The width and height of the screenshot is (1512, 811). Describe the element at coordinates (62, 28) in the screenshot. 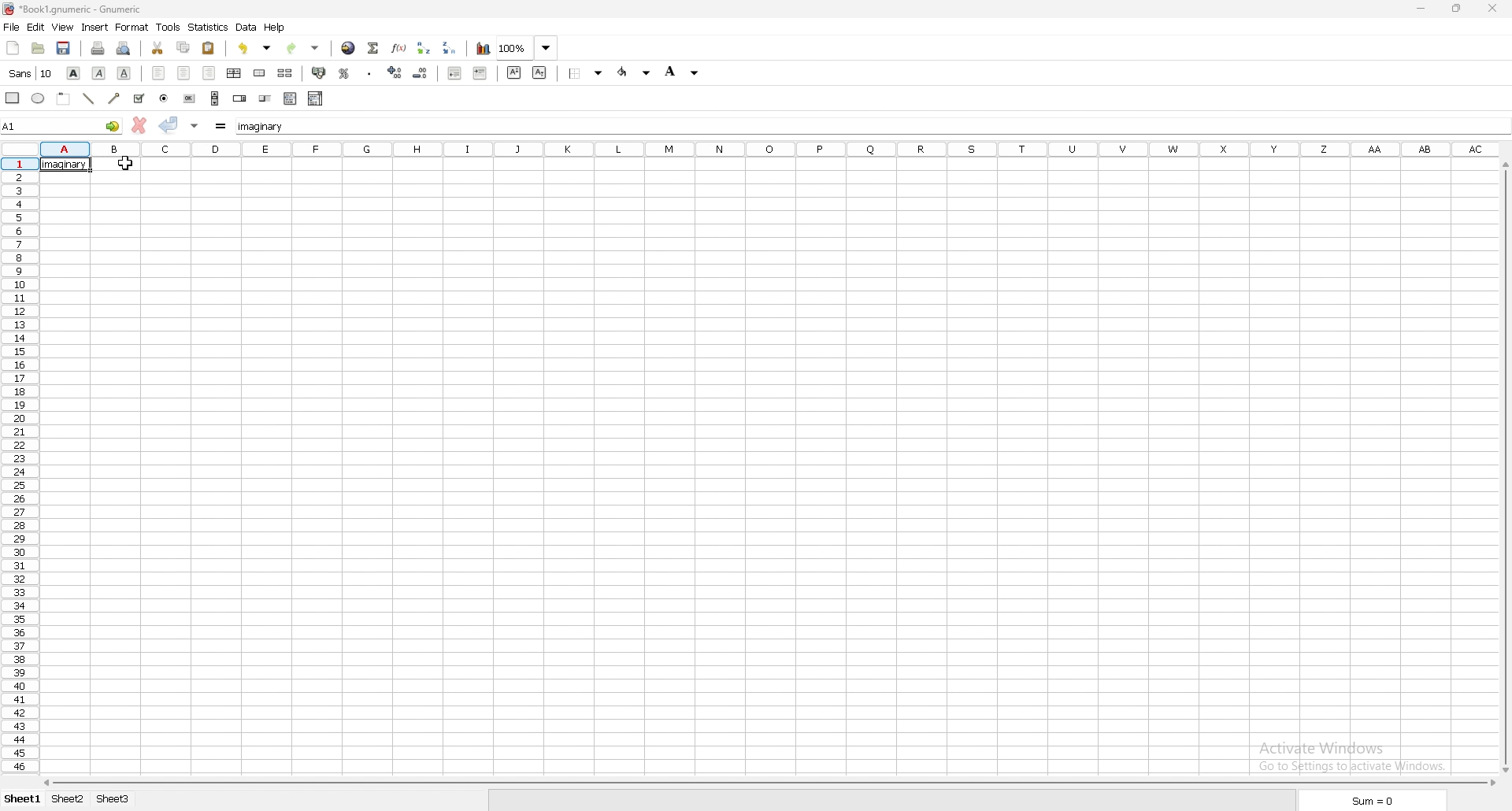

I see `view` at that location.